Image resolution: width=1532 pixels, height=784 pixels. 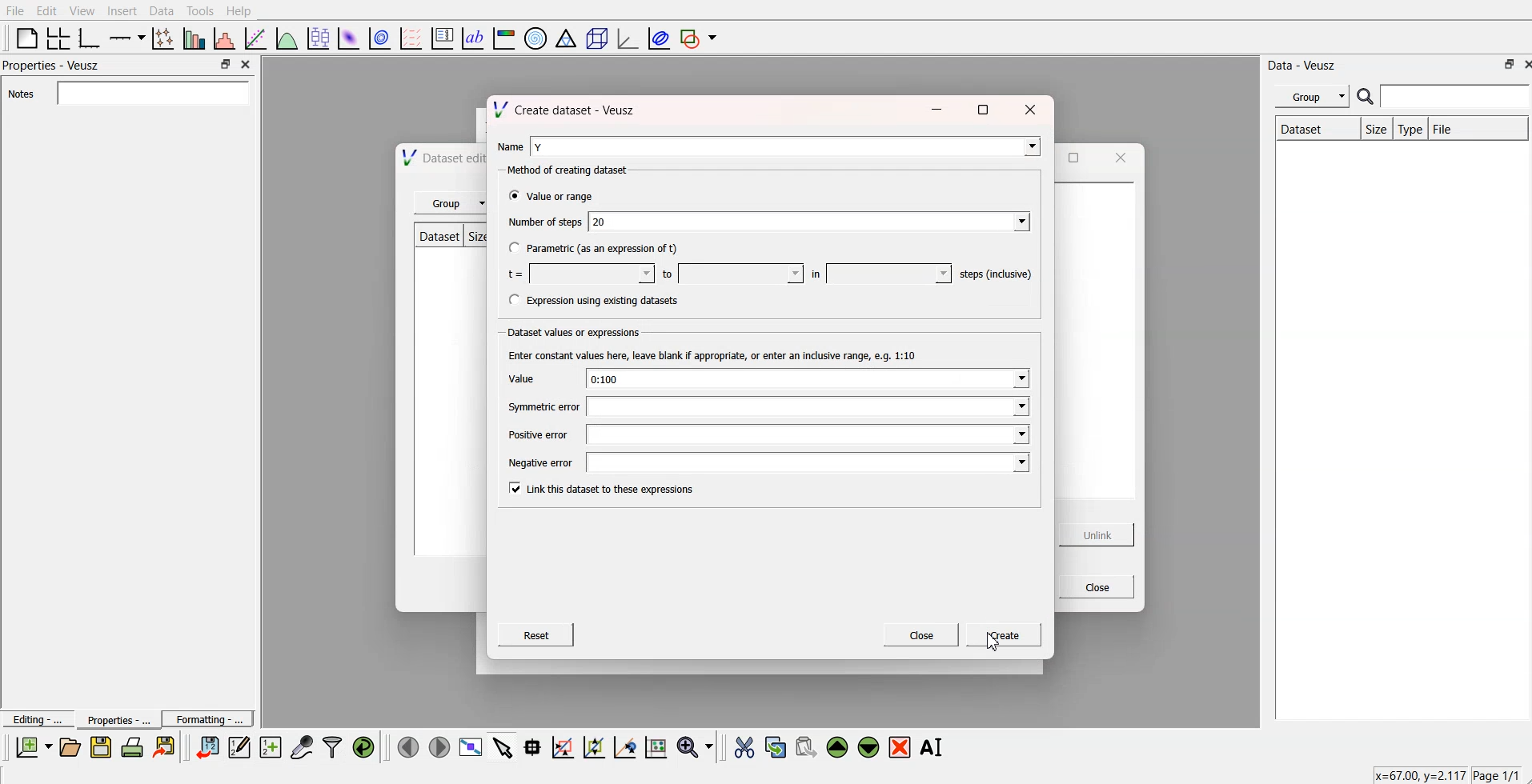 I want to click on plot bar graphs, so click(x=195, y=38).